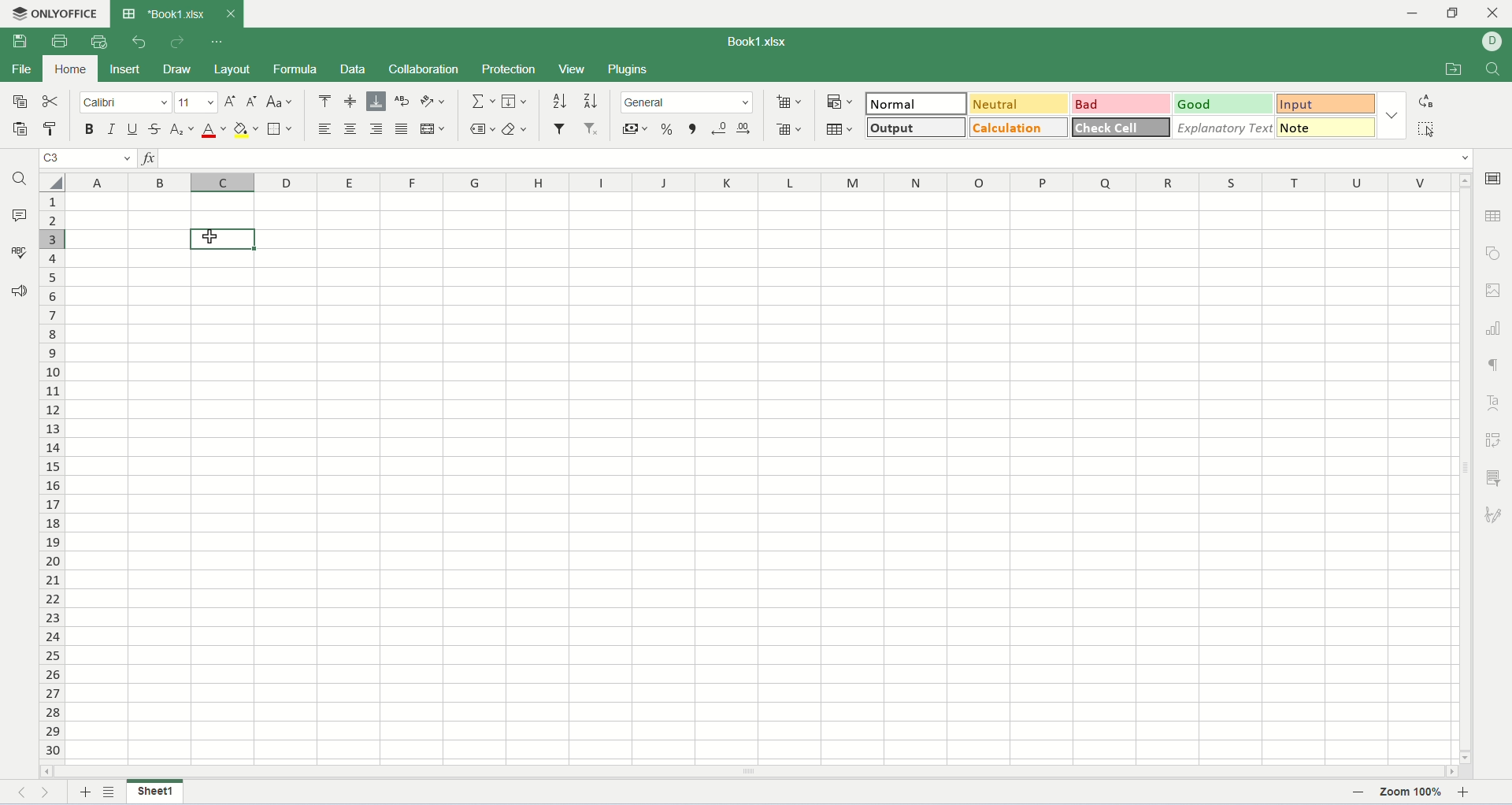  What do you see at coordinates (294, 69) in the screenshot?
I see `formula` at bounding box center [294, 69].